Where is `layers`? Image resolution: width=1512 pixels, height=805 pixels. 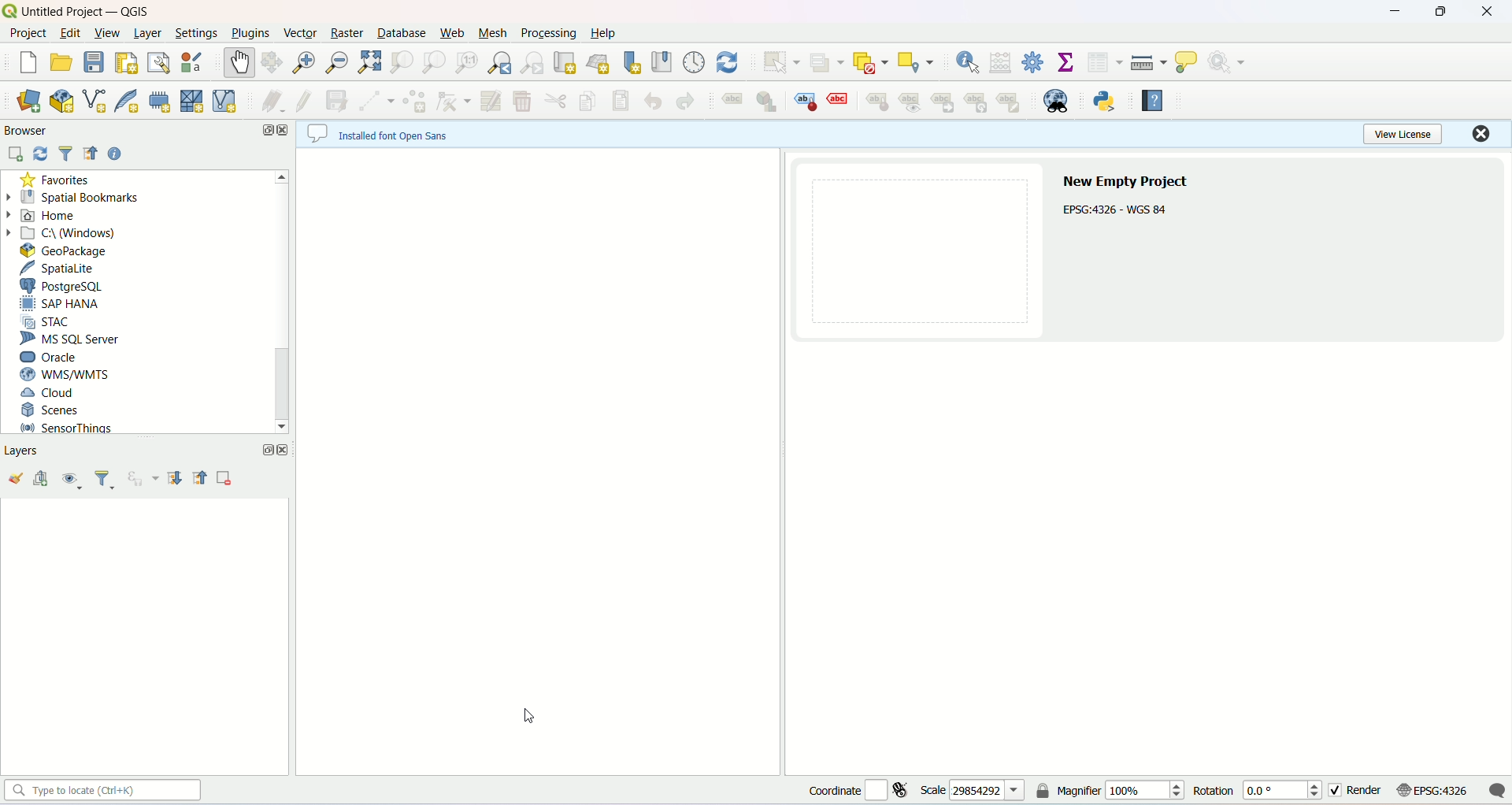
layers is located at coordinates (34, 450).